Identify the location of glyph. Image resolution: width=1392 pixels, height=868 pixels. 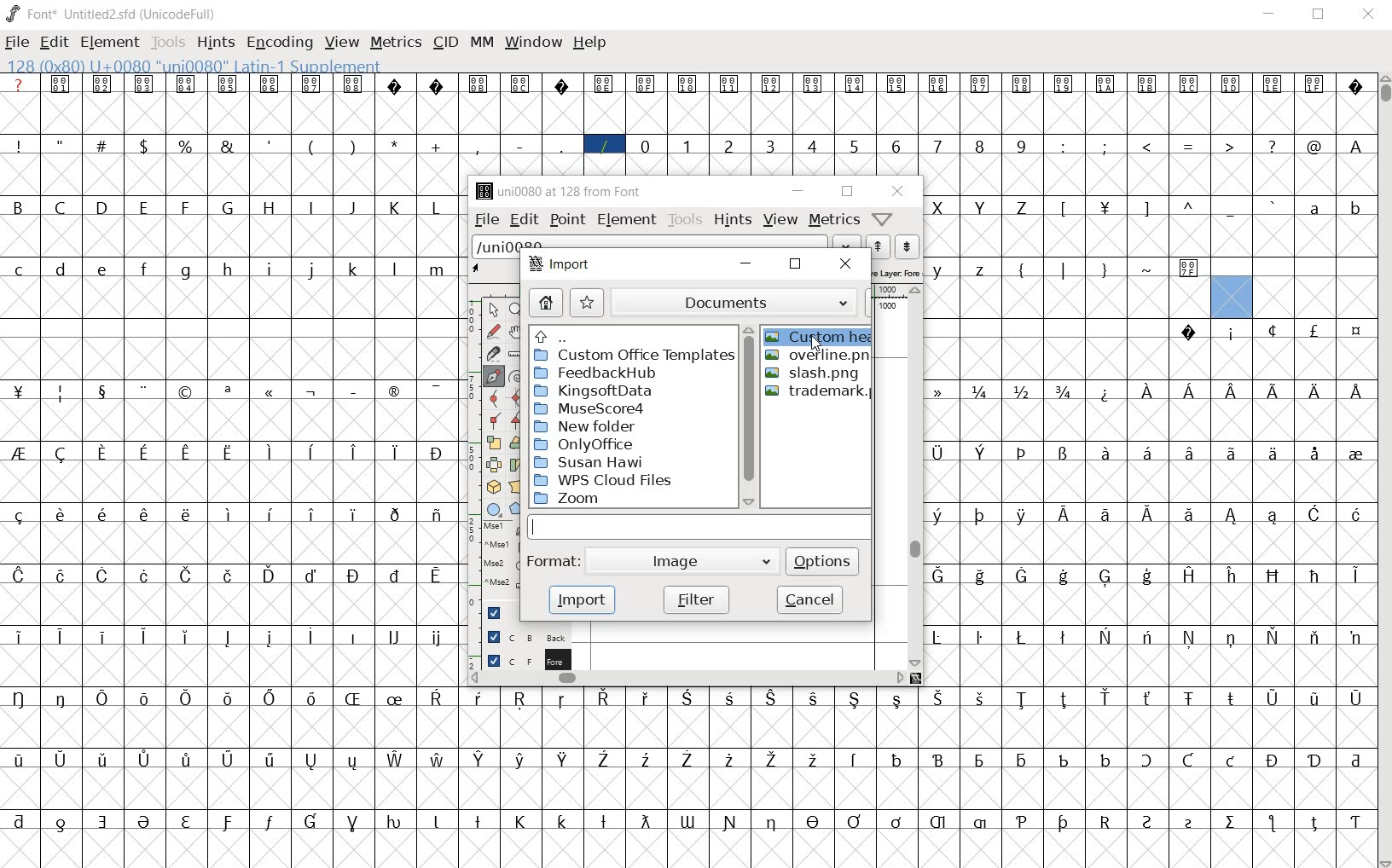
(1273, 330).